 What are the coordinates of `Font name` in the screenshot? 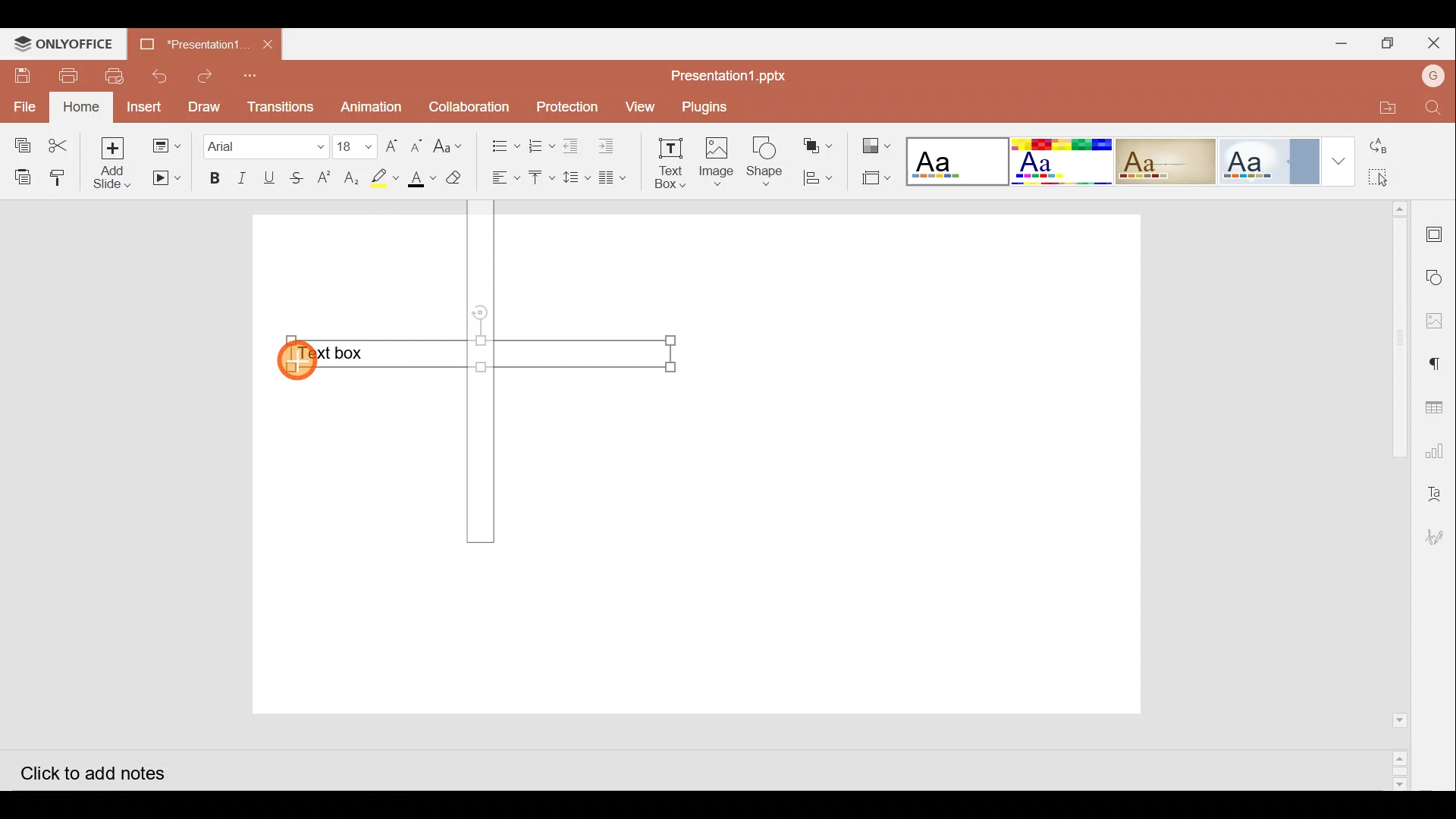 It's located at (265, 144).